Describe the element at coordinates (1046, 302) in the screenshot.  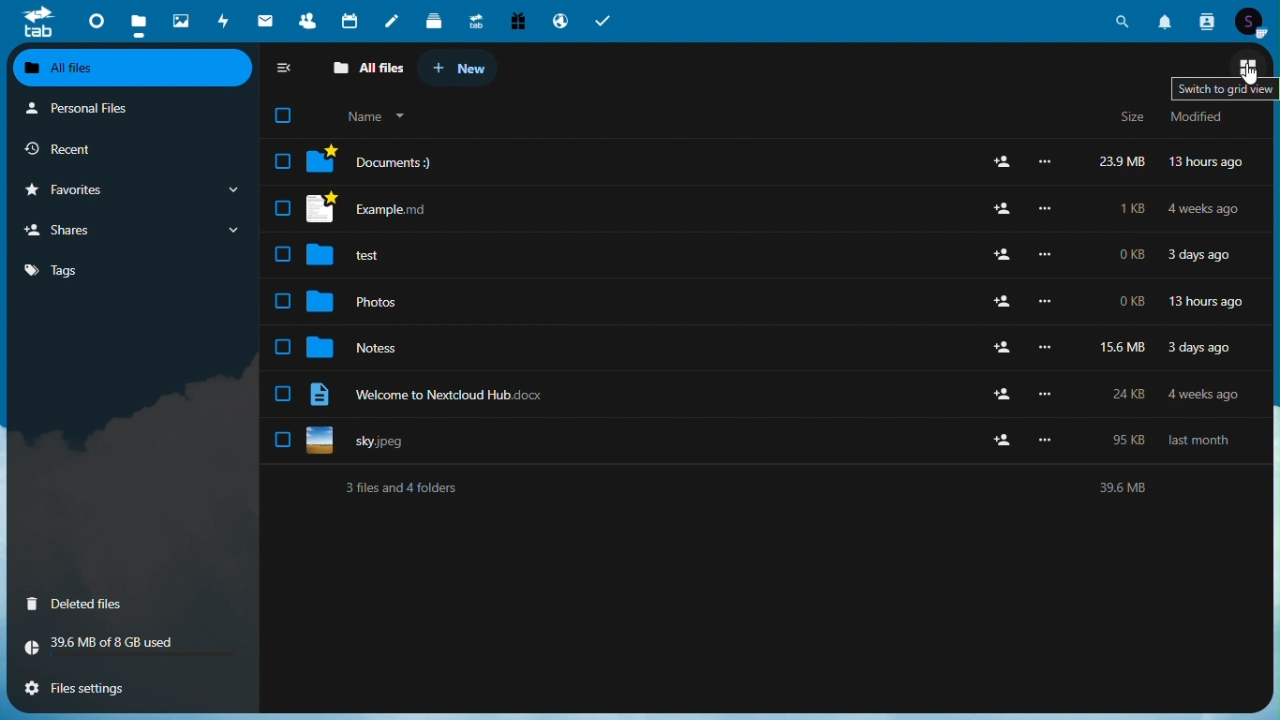
I see `more options` at that location.